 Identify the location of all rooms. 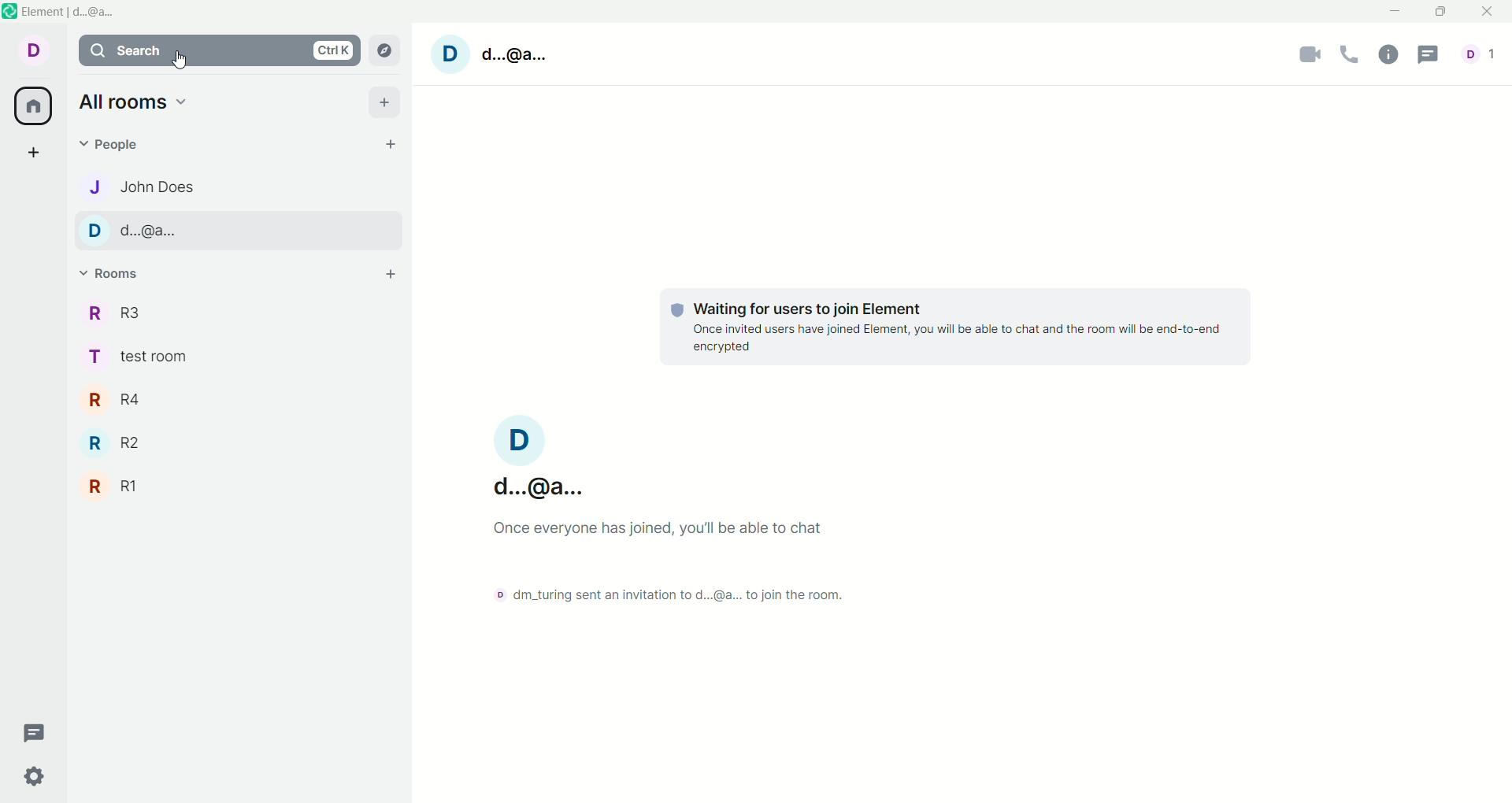
(135, 102).